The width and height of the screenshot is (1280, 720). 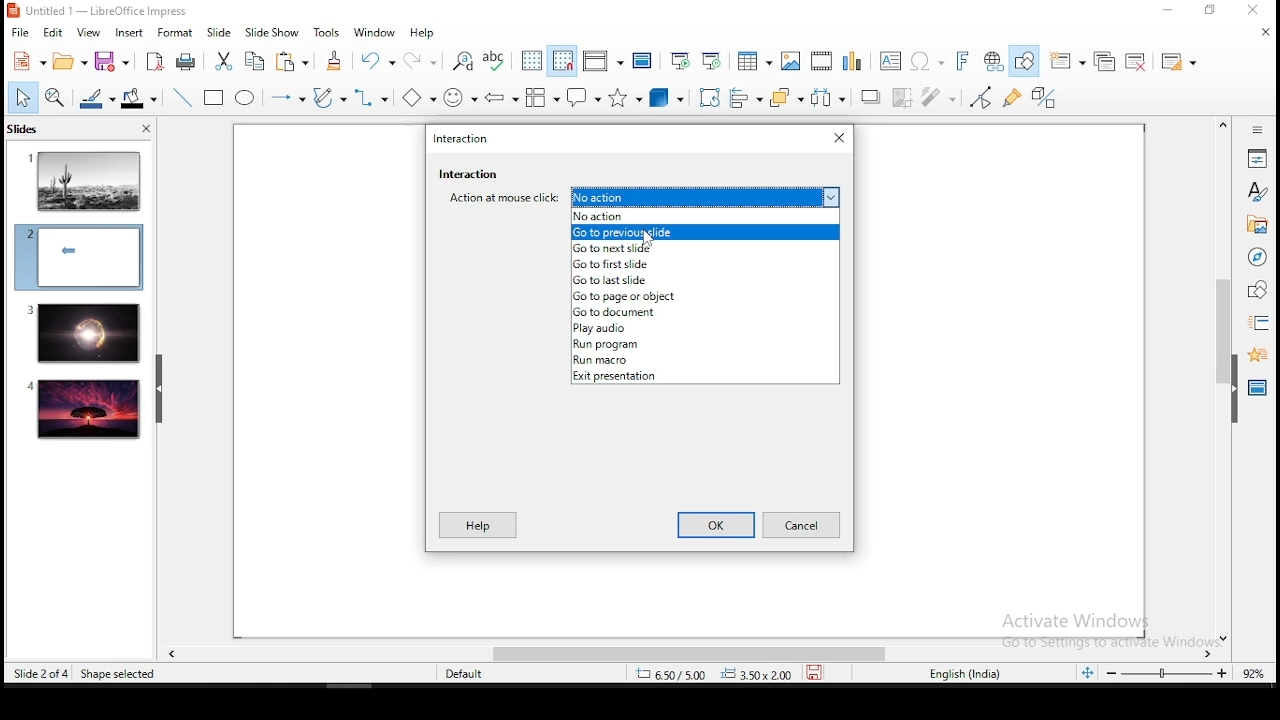 I want to click on slide, so click(x=85, y=410).